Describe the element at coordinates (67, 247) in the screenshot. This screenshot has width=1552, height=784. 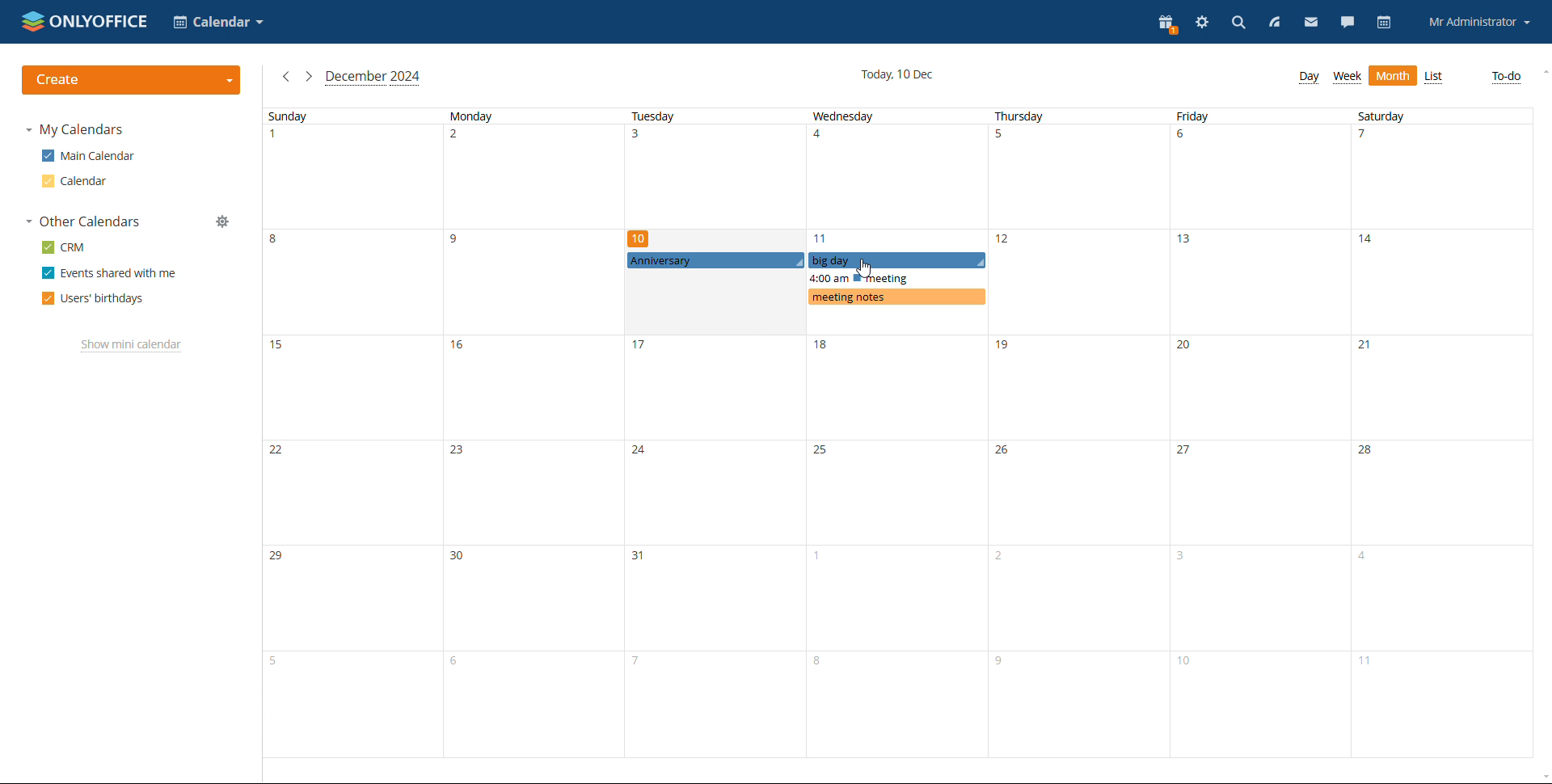
I see `crm` at that location.